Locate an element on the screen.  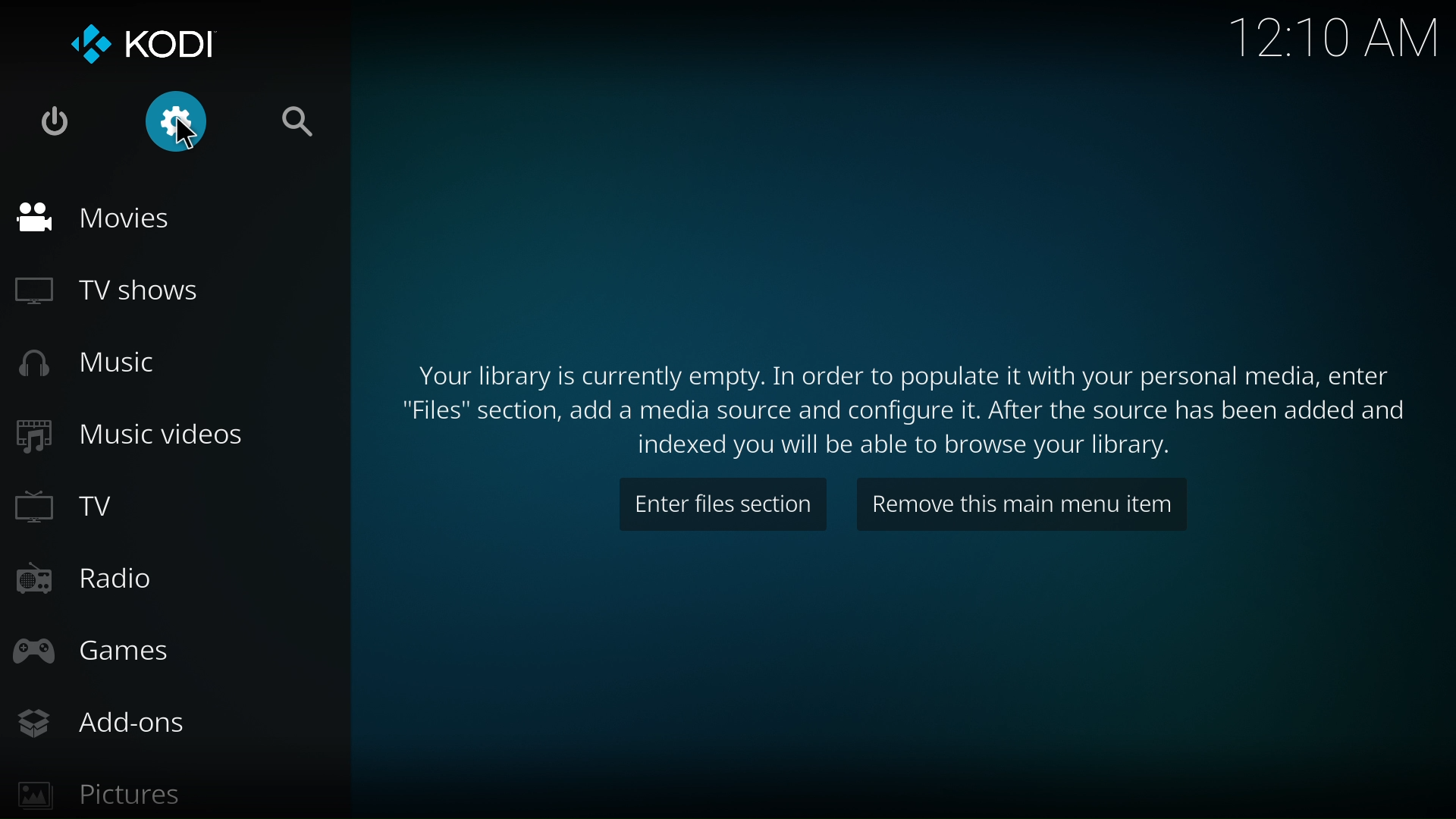
cursor is located at coordinates (191, 136).